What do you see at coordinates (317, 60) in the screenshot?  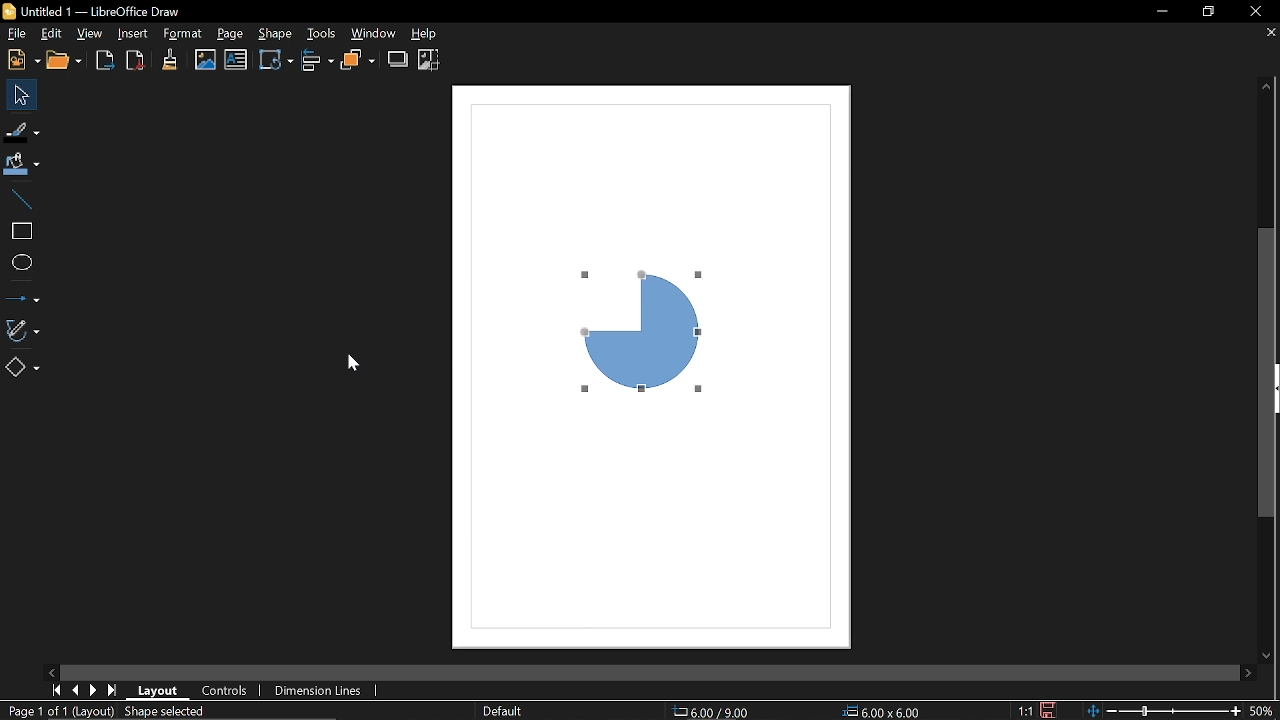 I see `Allign` at bounding box center [317, 60].